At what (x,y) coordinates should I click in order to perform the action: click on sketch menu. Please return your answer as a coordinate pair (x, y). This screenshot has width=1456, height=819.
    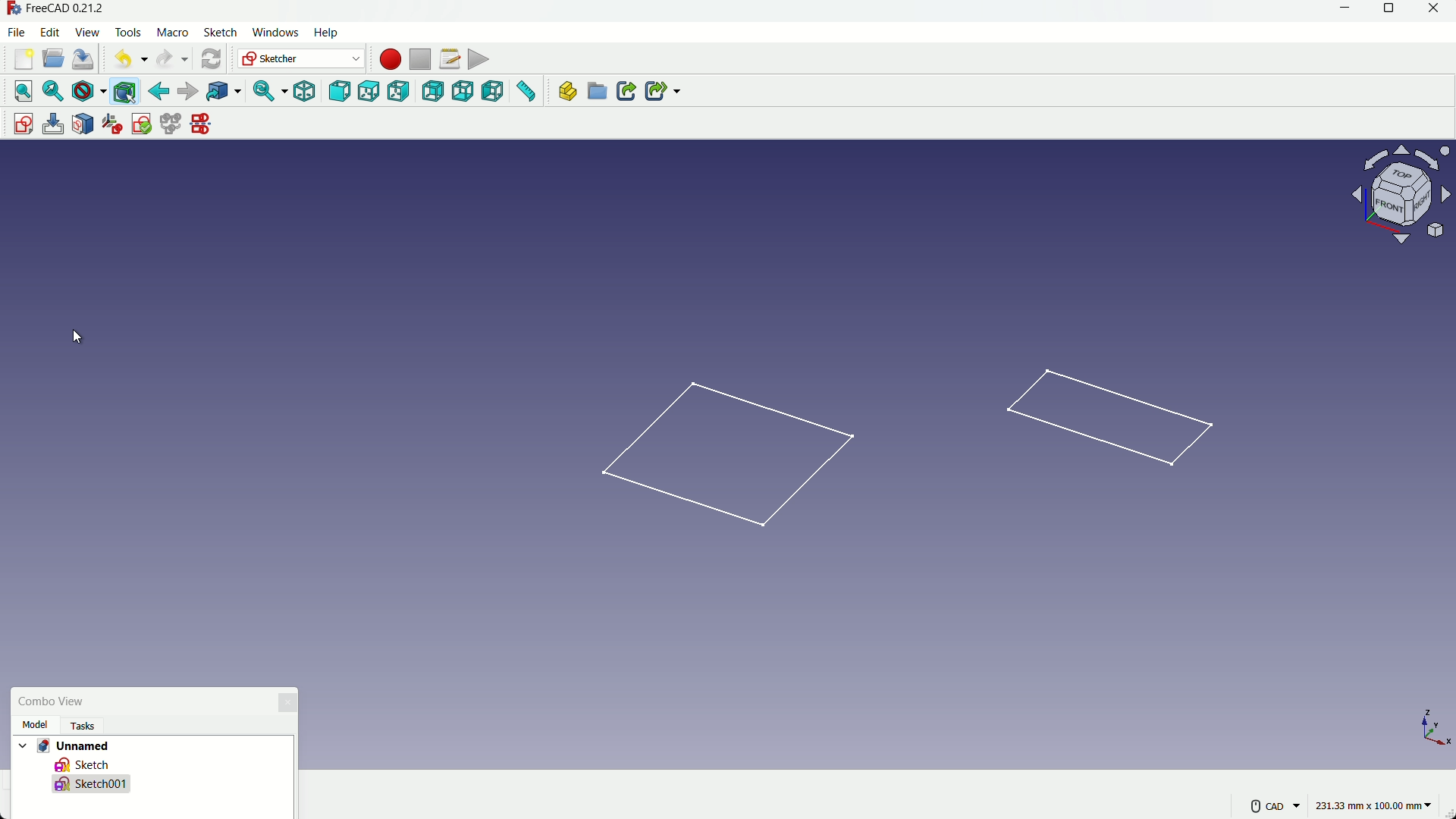
    Looking at the image, I should click on (218, 33).